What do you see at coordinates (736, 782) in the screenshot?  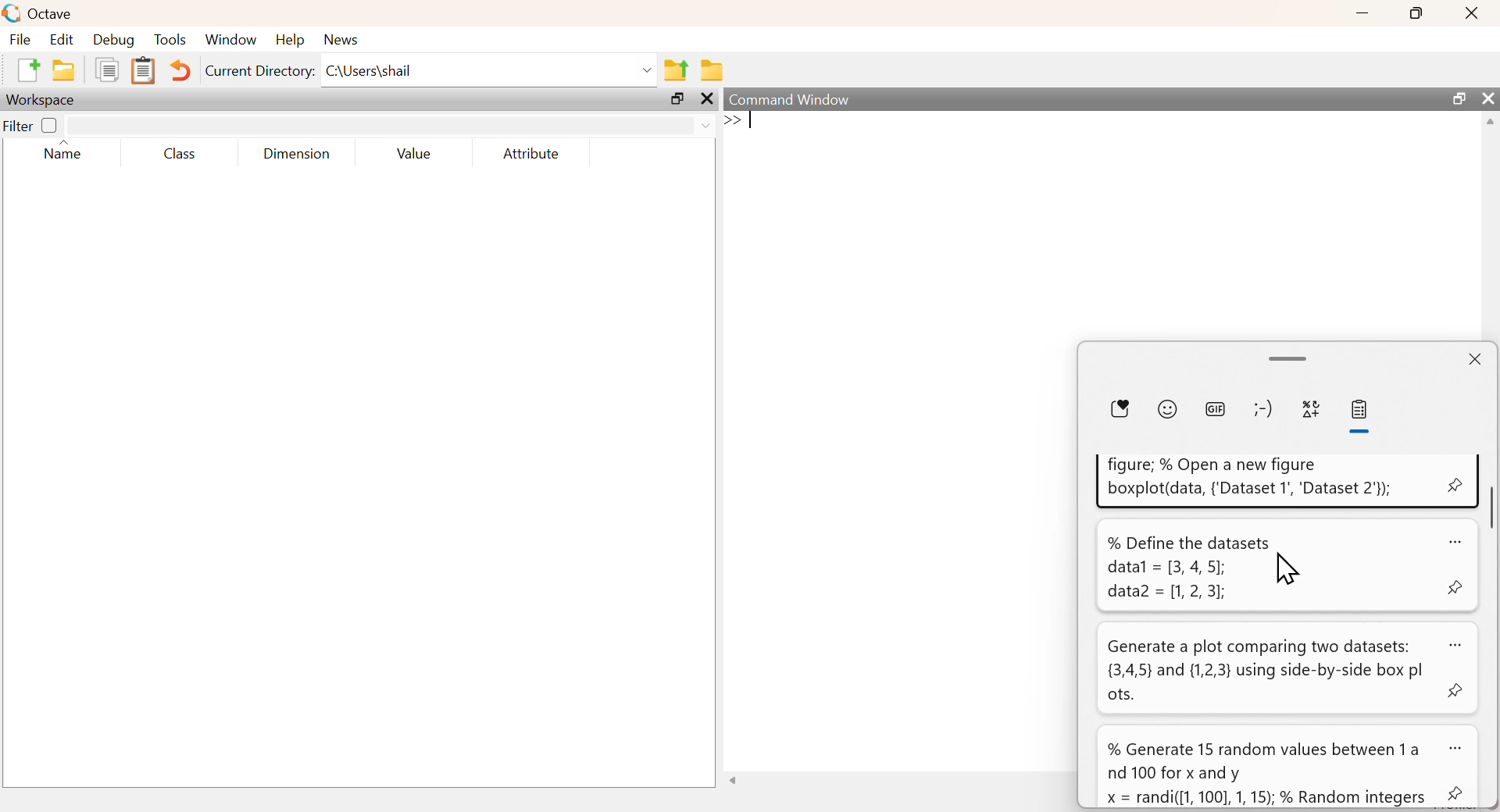 I see `scroll left` at bounding box center [736, 782].